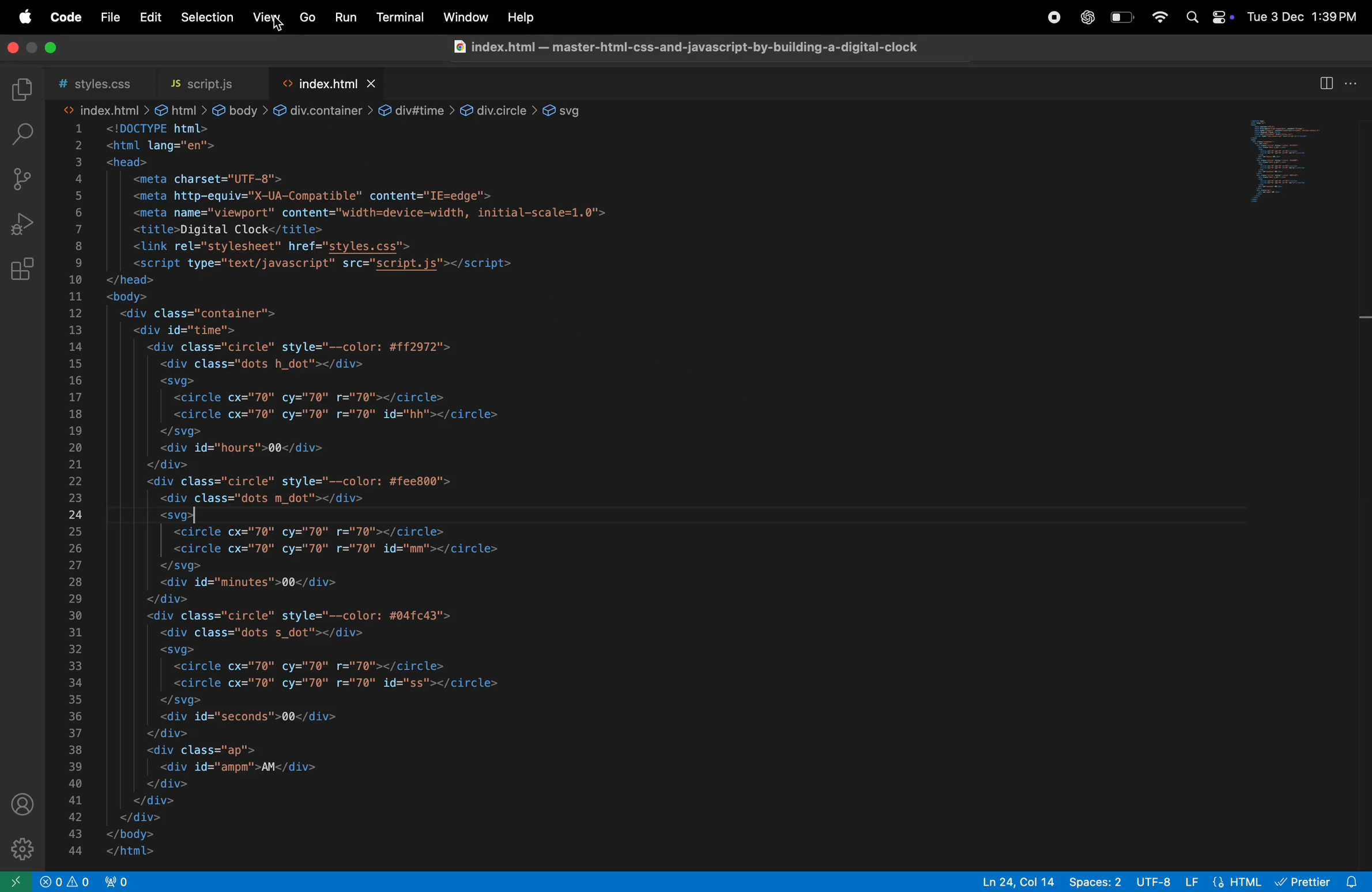  Describe the element at coordinates (328, 81) in the screenshot. I see `index.html` at that location.